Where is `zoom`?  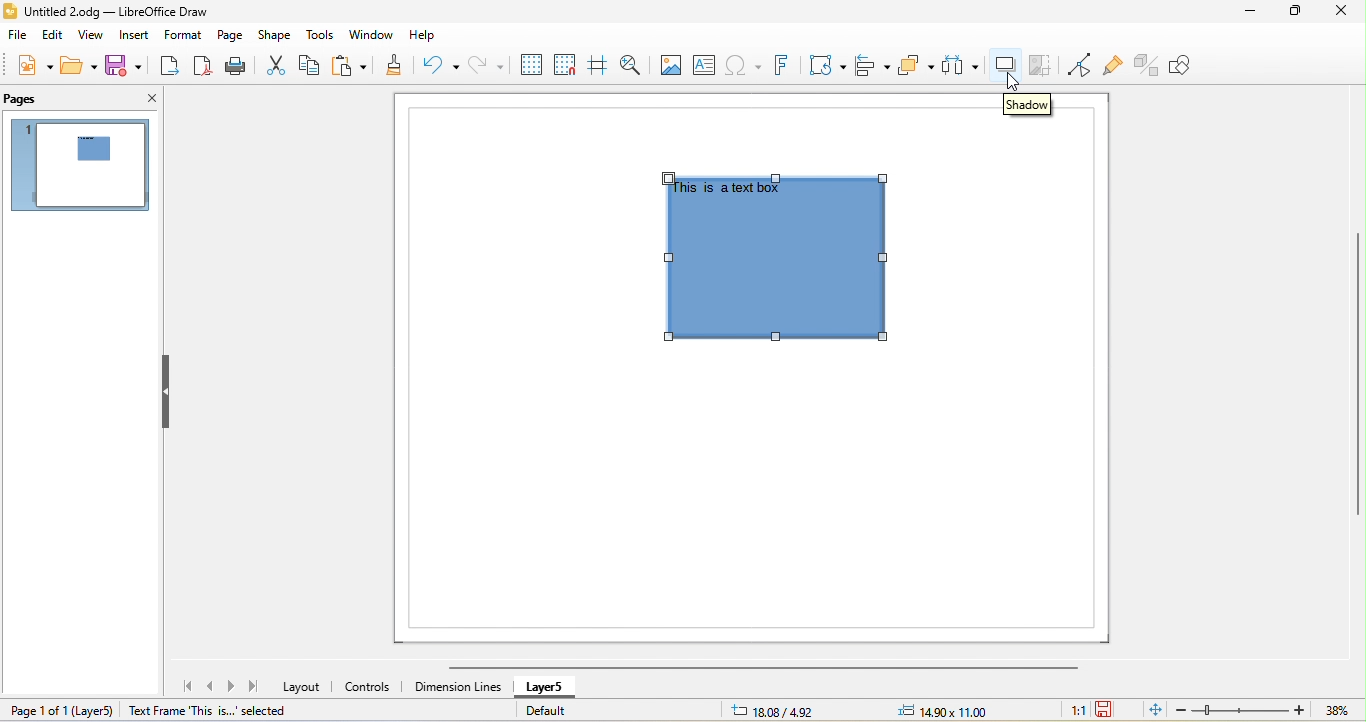 zoom is located at coordinates (1240, 710).